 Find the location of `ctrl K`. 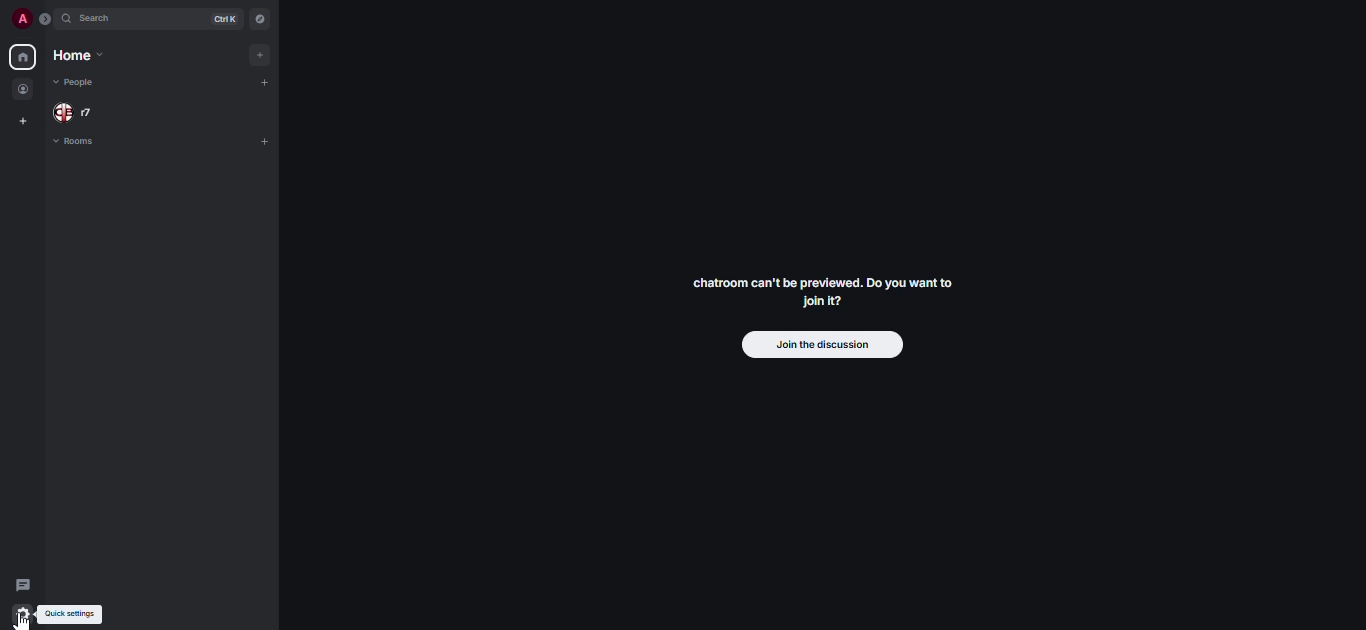

ctrl K is located at coordinates (220, 20).